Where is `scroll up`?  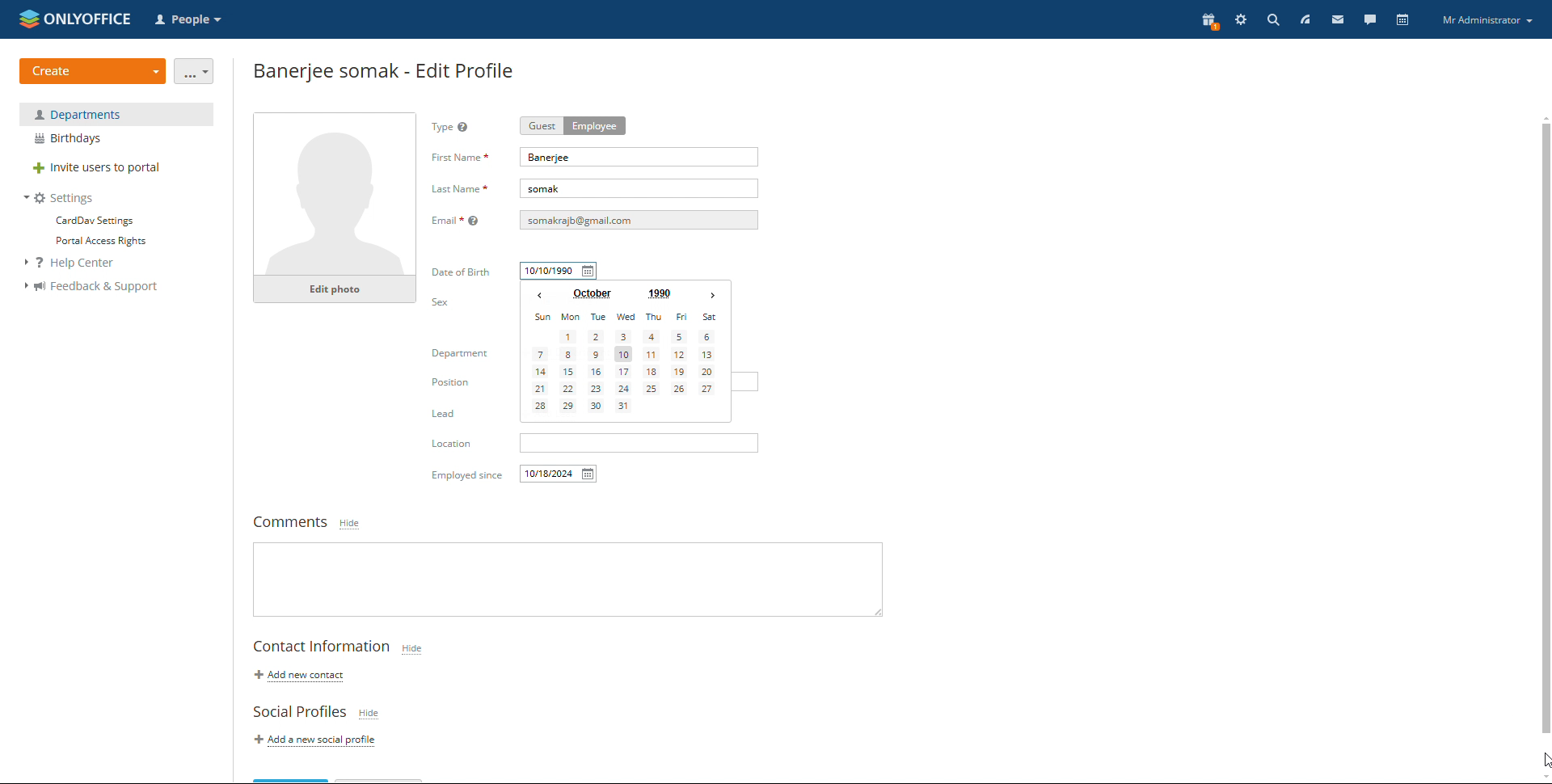 scroll up is located at coordinates (1542, 116).